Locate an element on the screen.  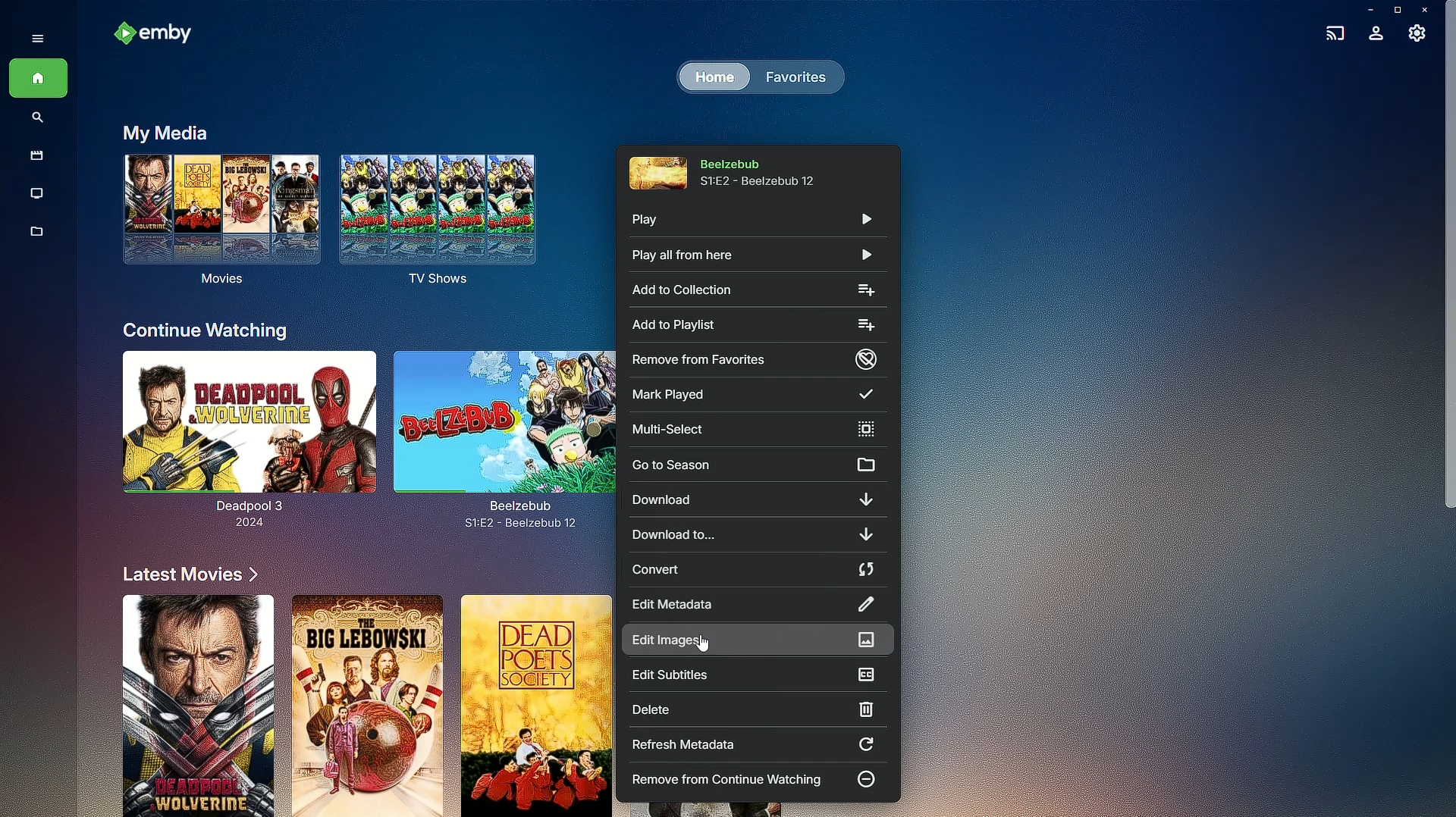
Movies is located at coordinates (33, 157).